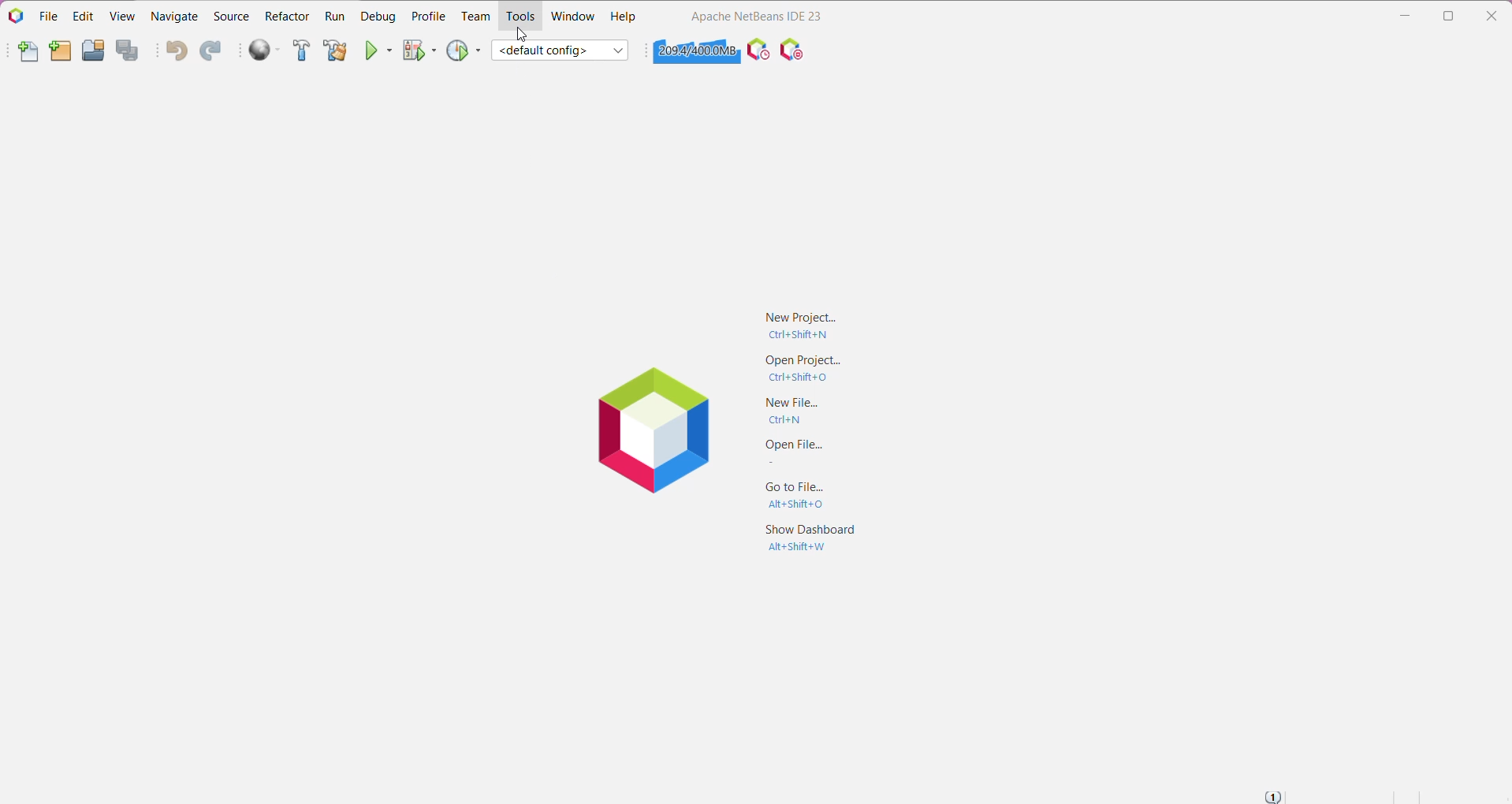  I want to click on Close, so click(1495, 13).